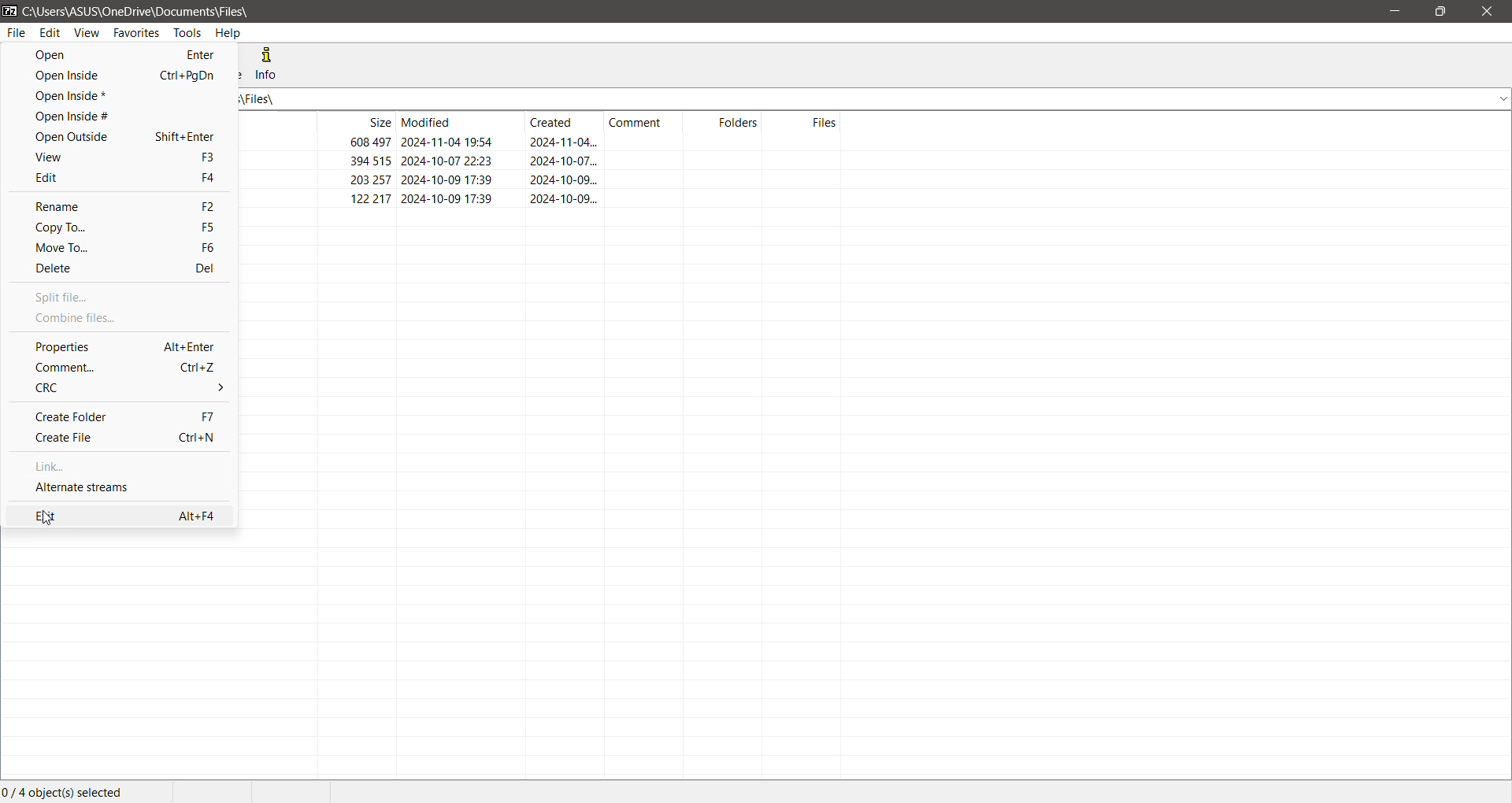 The width and height of the screenshot is (1512, 803). What do you see at coordinates (438, 121) in the screenshot?
I see `Modified` at bounding box center [438, 121].